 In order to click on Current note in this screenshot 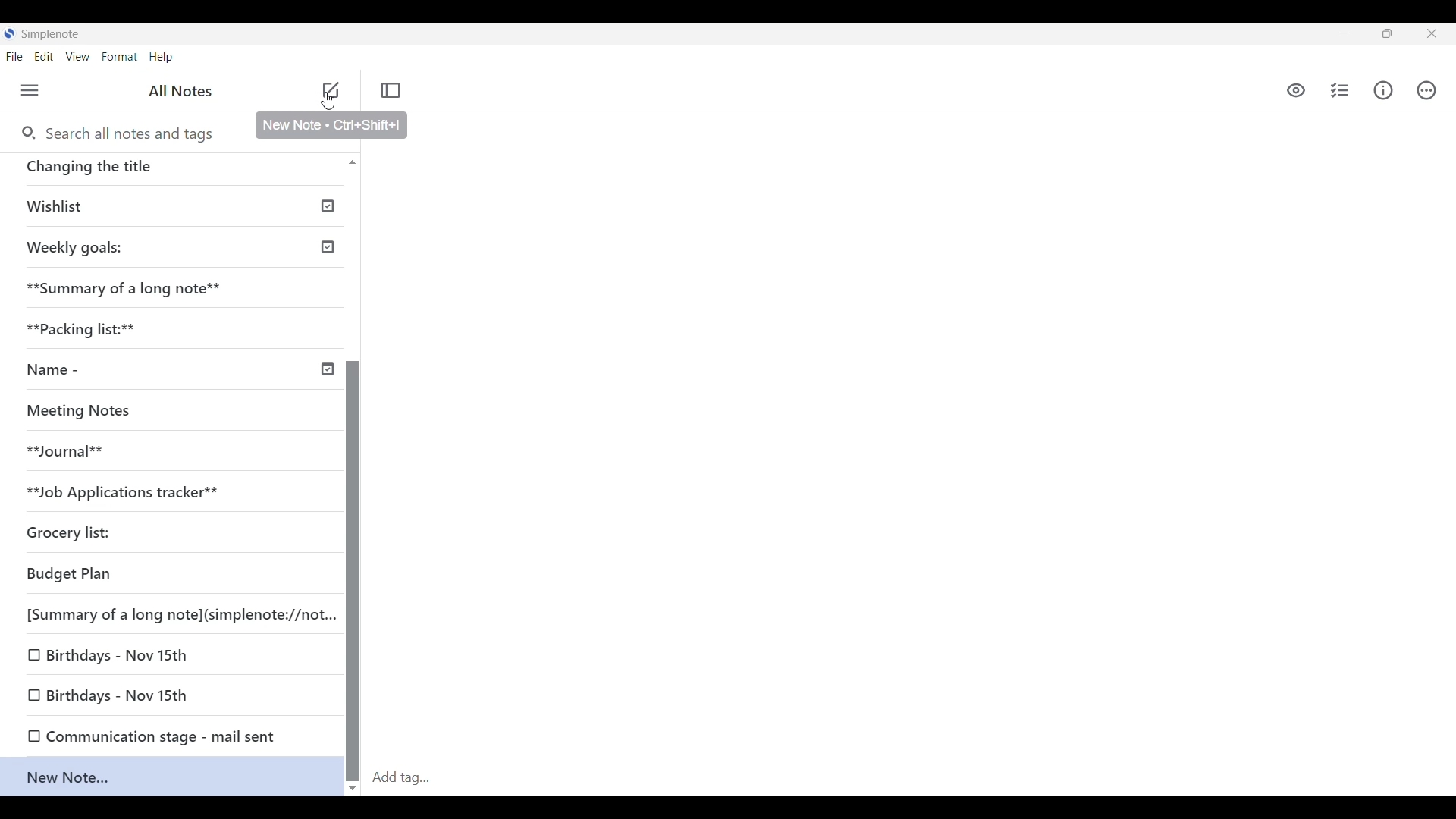, I will do `click(171, 777)`.